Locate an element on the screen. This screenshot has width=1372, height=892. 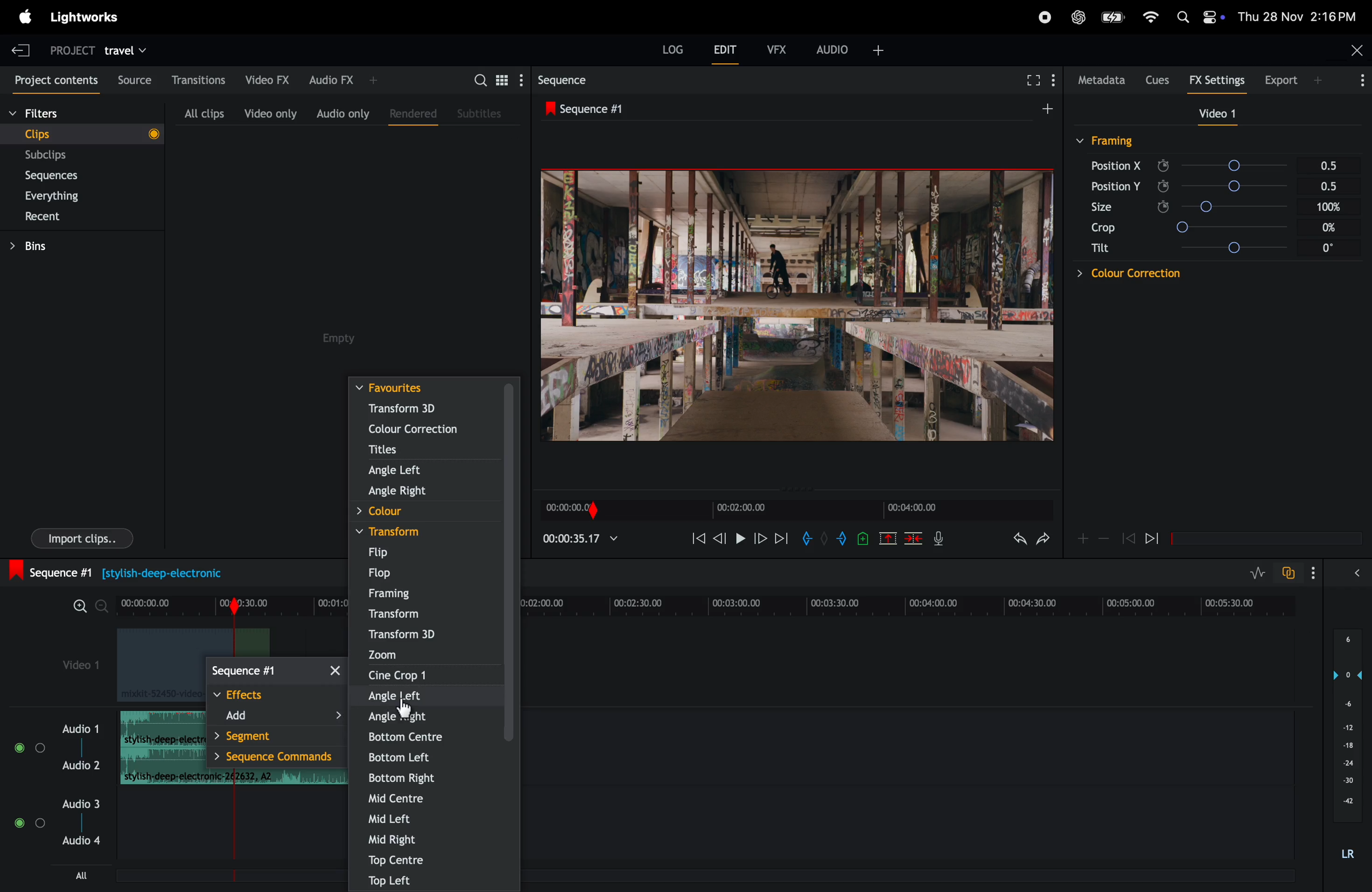
source is located at coordinates (131, 80).